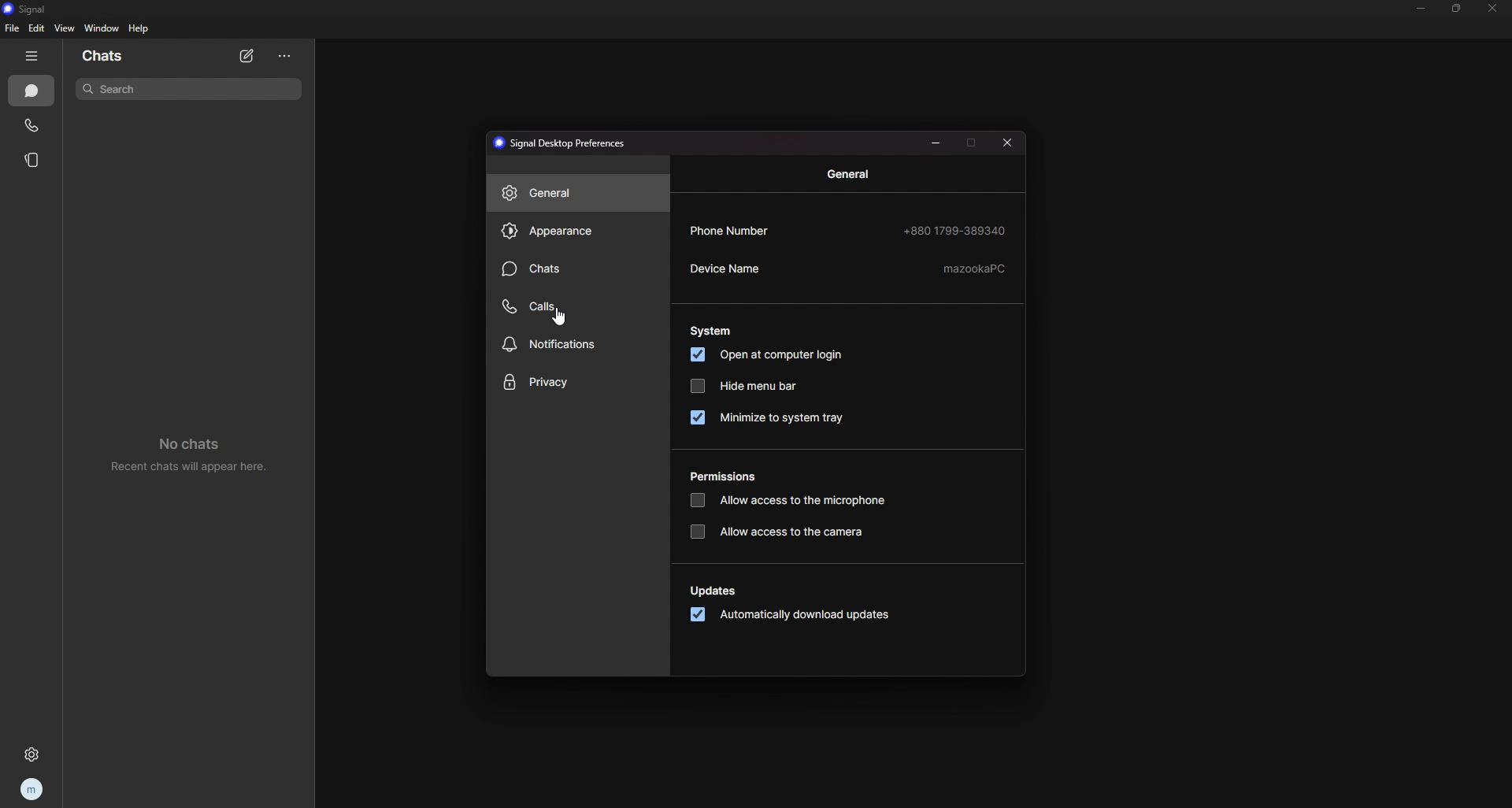 Image resolution: width=1512 pixels, height=808 pixels. I want to click on resize, so click(1458, 8).